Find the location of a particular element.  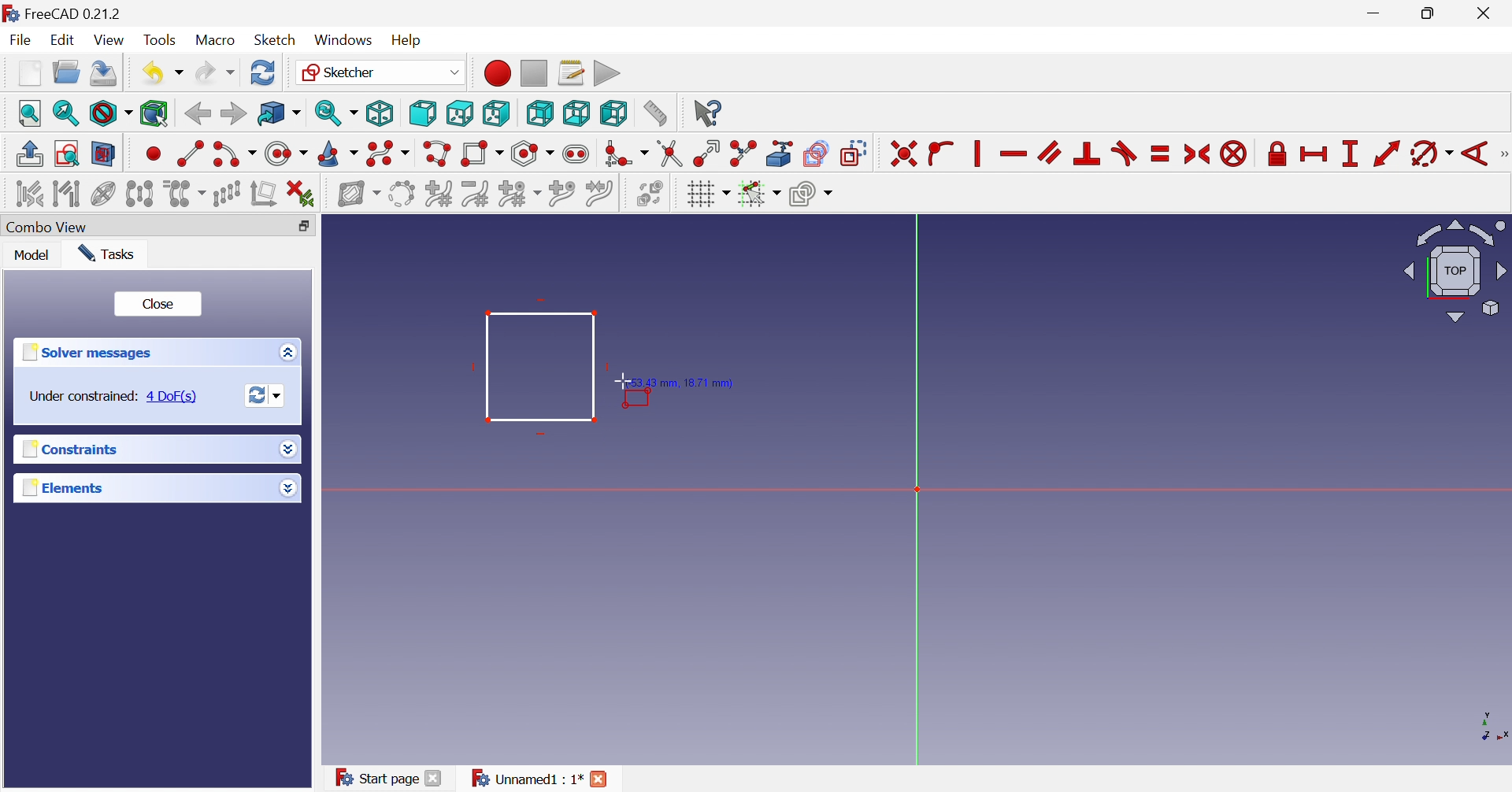

Insert knot is located at coordinates (562, 196).